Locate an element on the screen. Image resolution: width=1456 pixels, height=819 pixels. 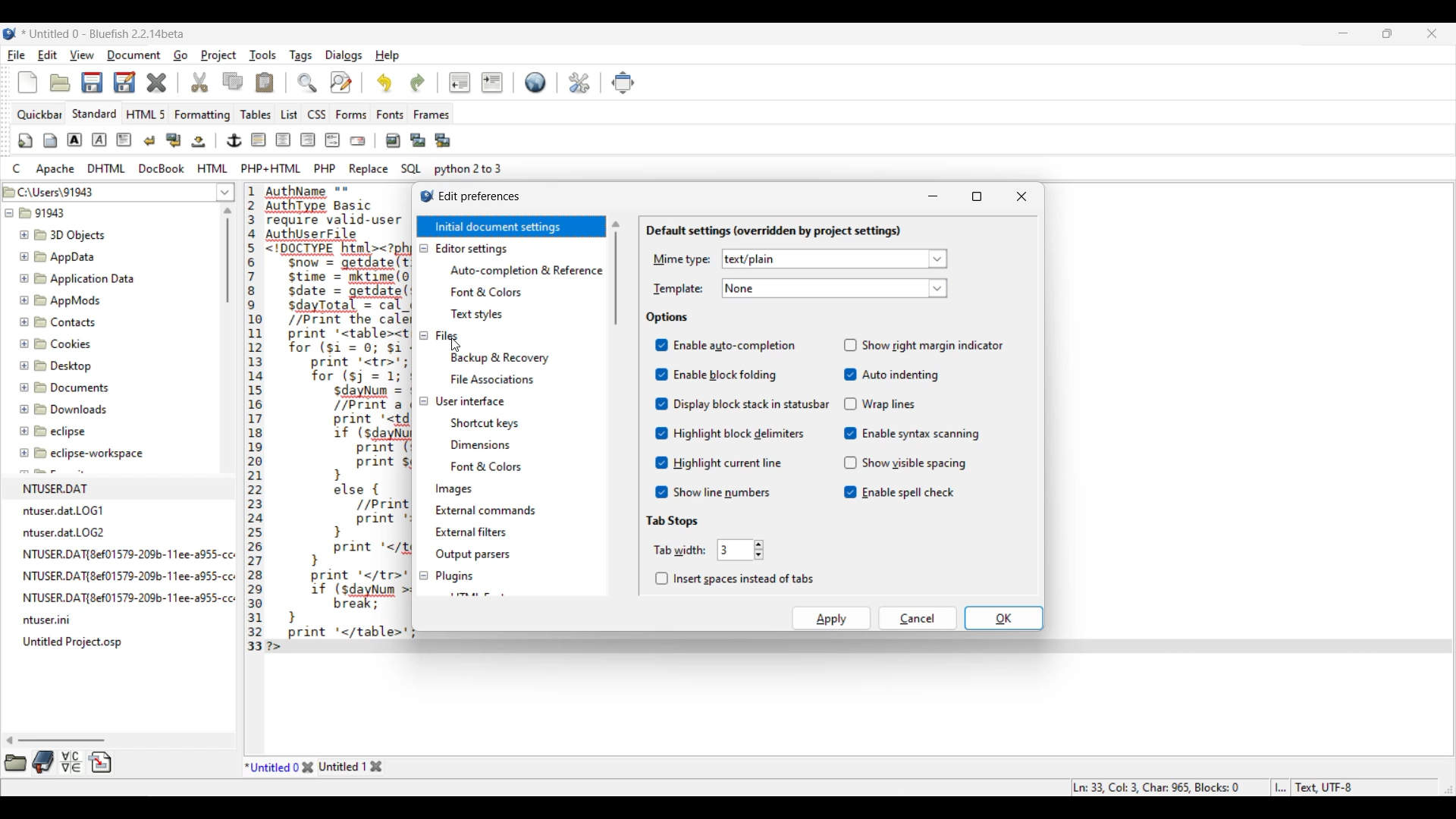
Indicates tab width  is located at coordinates (680, 550).